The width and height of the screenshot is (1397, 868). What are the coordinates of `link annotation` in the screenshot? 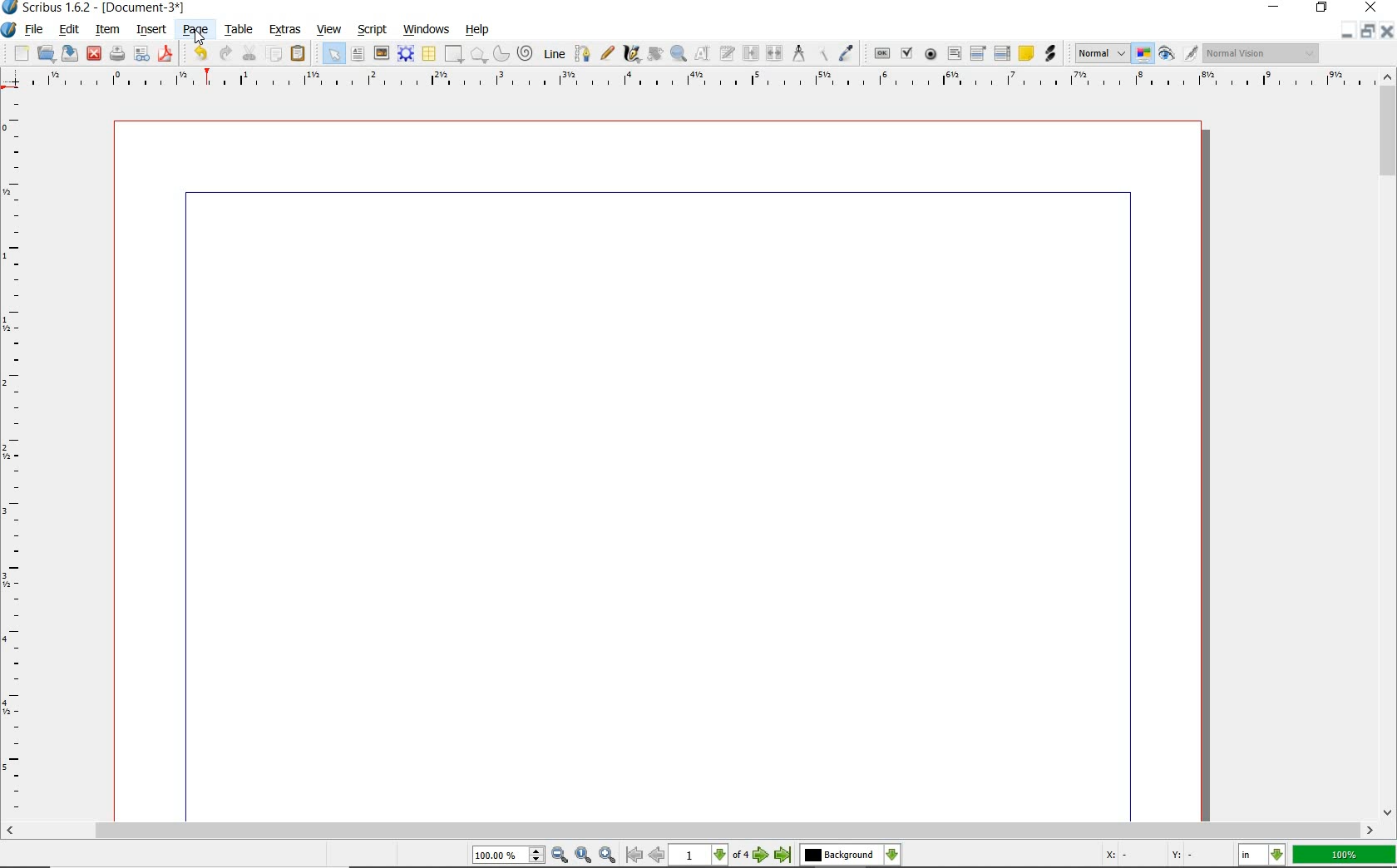 It's located at (1050, 53).